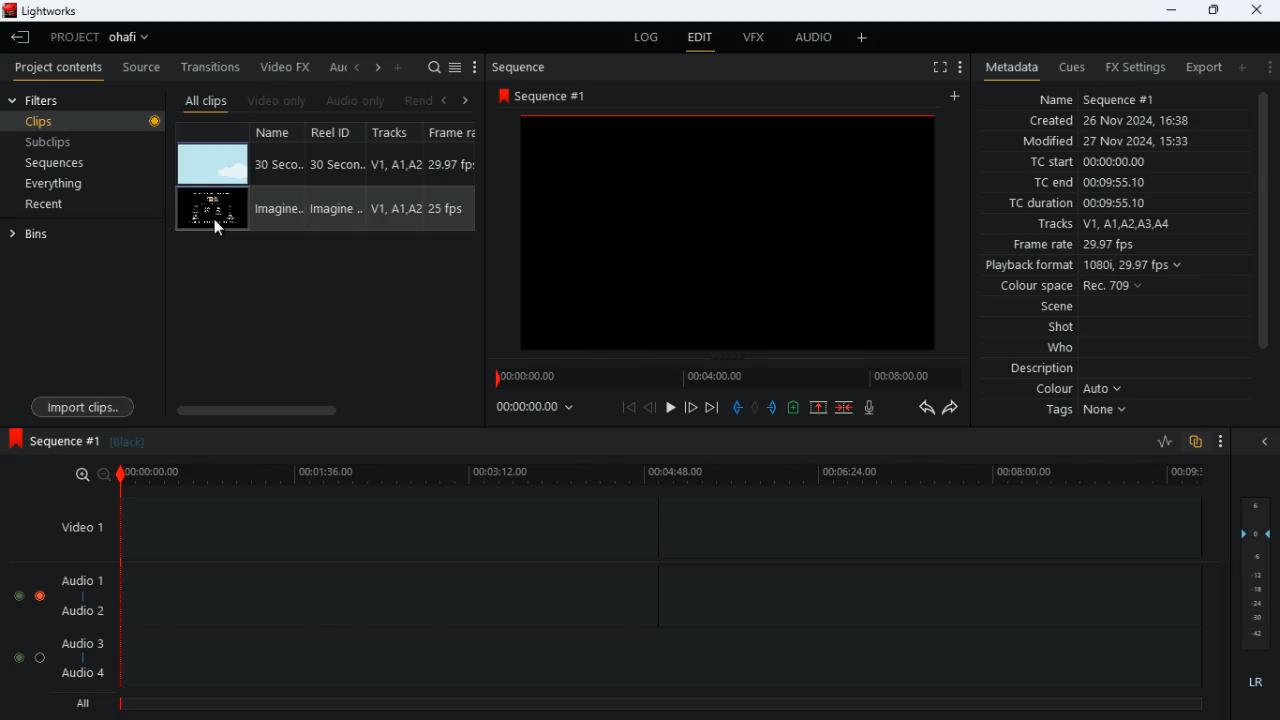 The width and height of the screenshot is (1280, 720). I want to click on video, so click(213, 162).